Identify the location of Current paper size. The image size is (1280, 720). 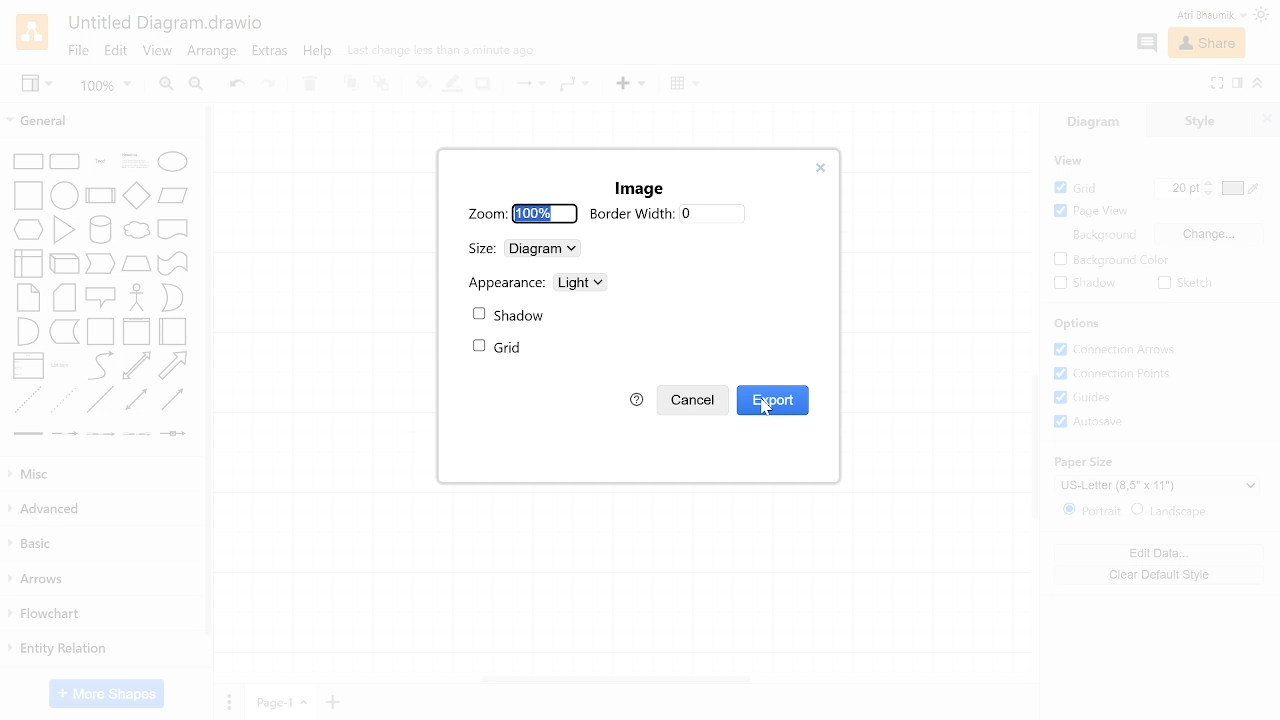
(1160, 485).